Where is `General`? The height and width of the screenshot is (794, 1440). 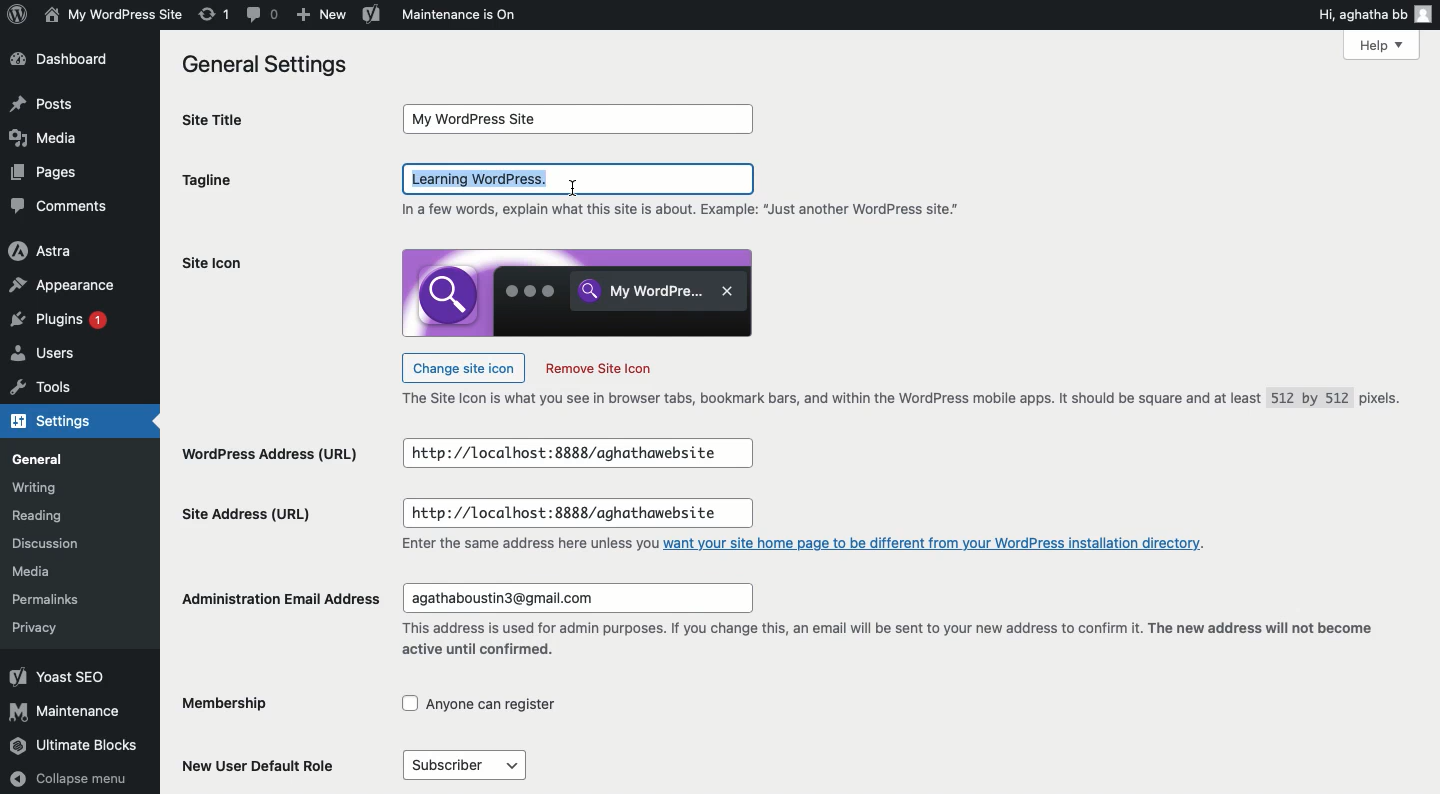 General is located at coordinates (42, 460).